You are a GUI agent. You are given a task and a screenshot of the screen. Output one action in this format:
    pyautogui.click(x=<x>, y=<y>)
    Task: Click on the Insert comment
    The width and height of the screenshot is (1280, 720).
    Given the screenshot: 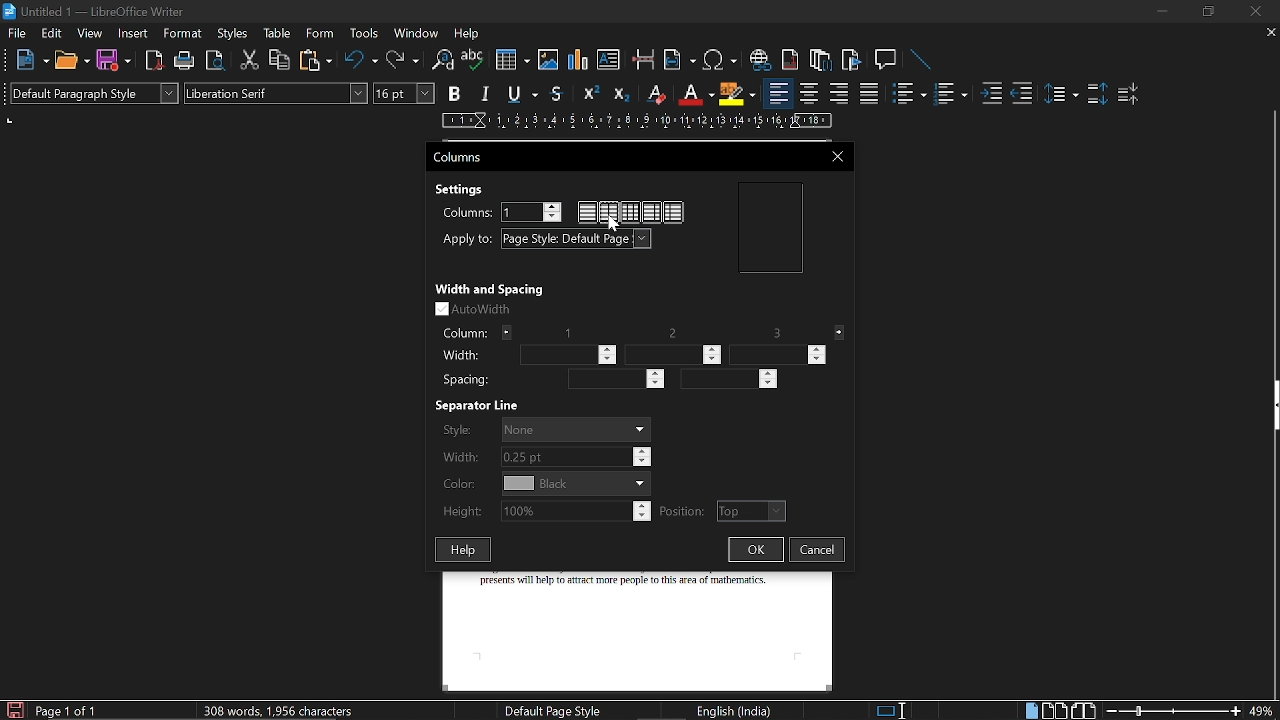 What is the action you would take?
    pyautogui.click(x=888, y=60)
    